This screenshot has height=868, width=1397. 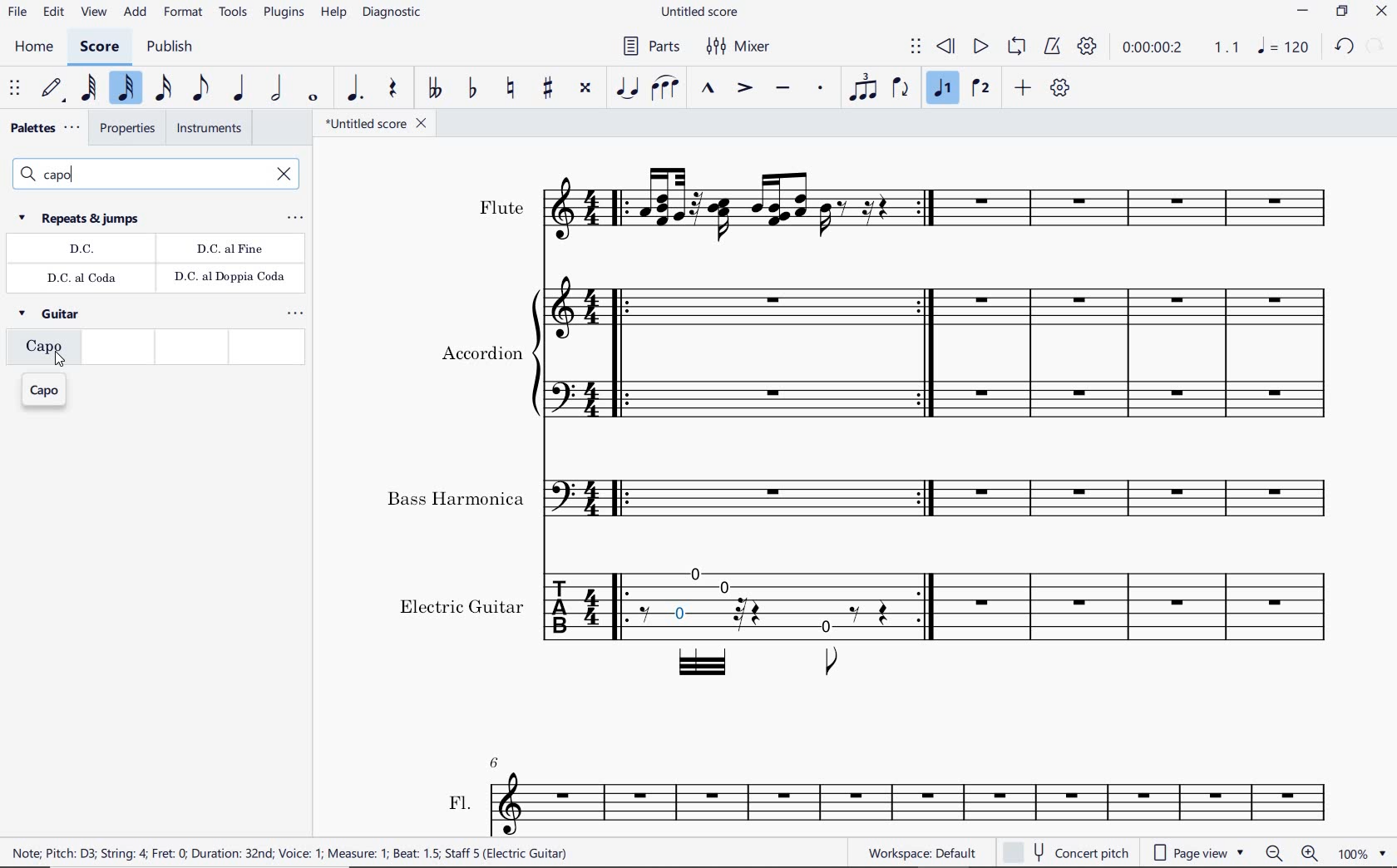 What do you see at coordinates (126, 87) in the screenshot?
I see `32nd note` at bounding box center [126, 87].